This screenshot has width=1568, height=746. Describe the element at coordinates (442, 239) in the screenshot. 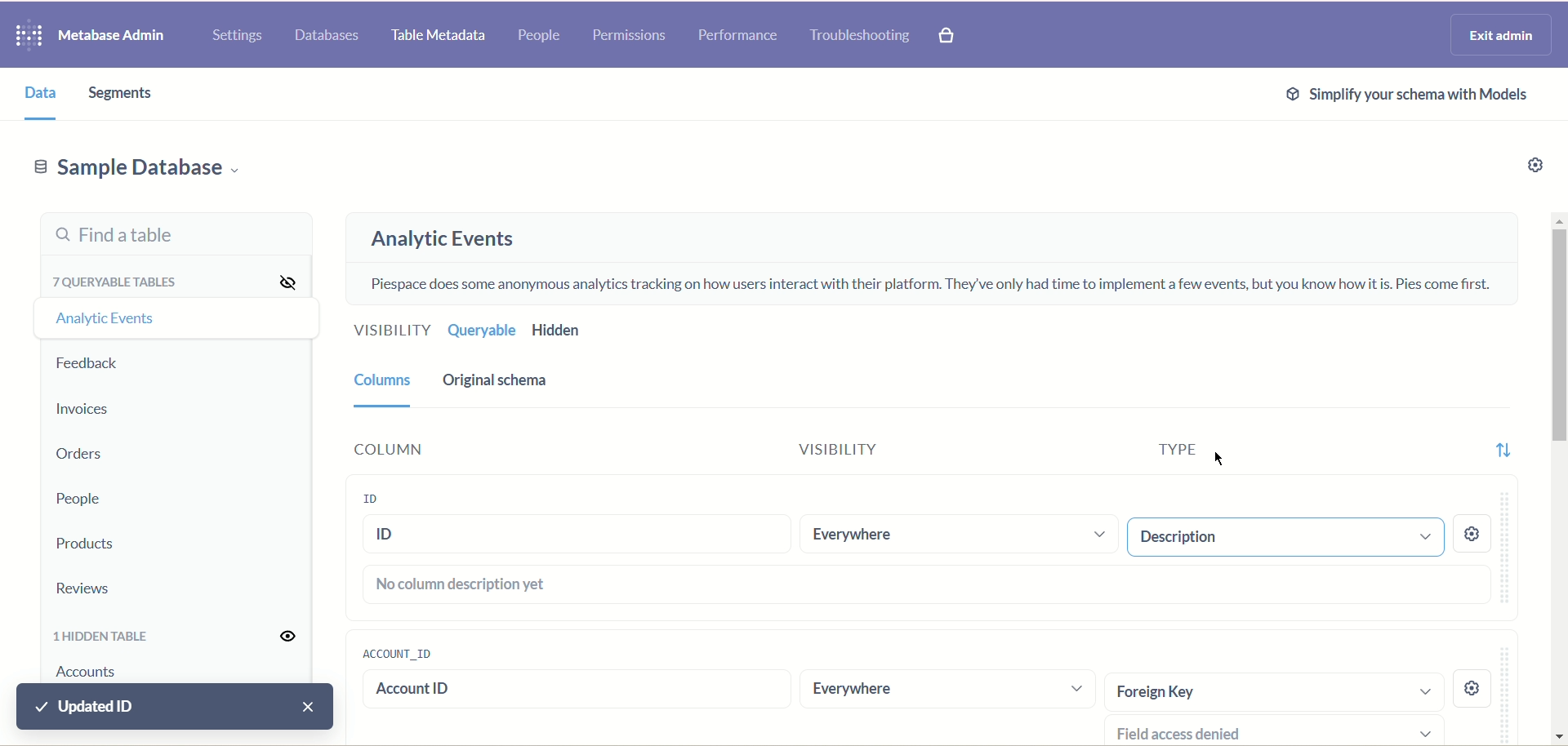

I see `analytic events` at that location.